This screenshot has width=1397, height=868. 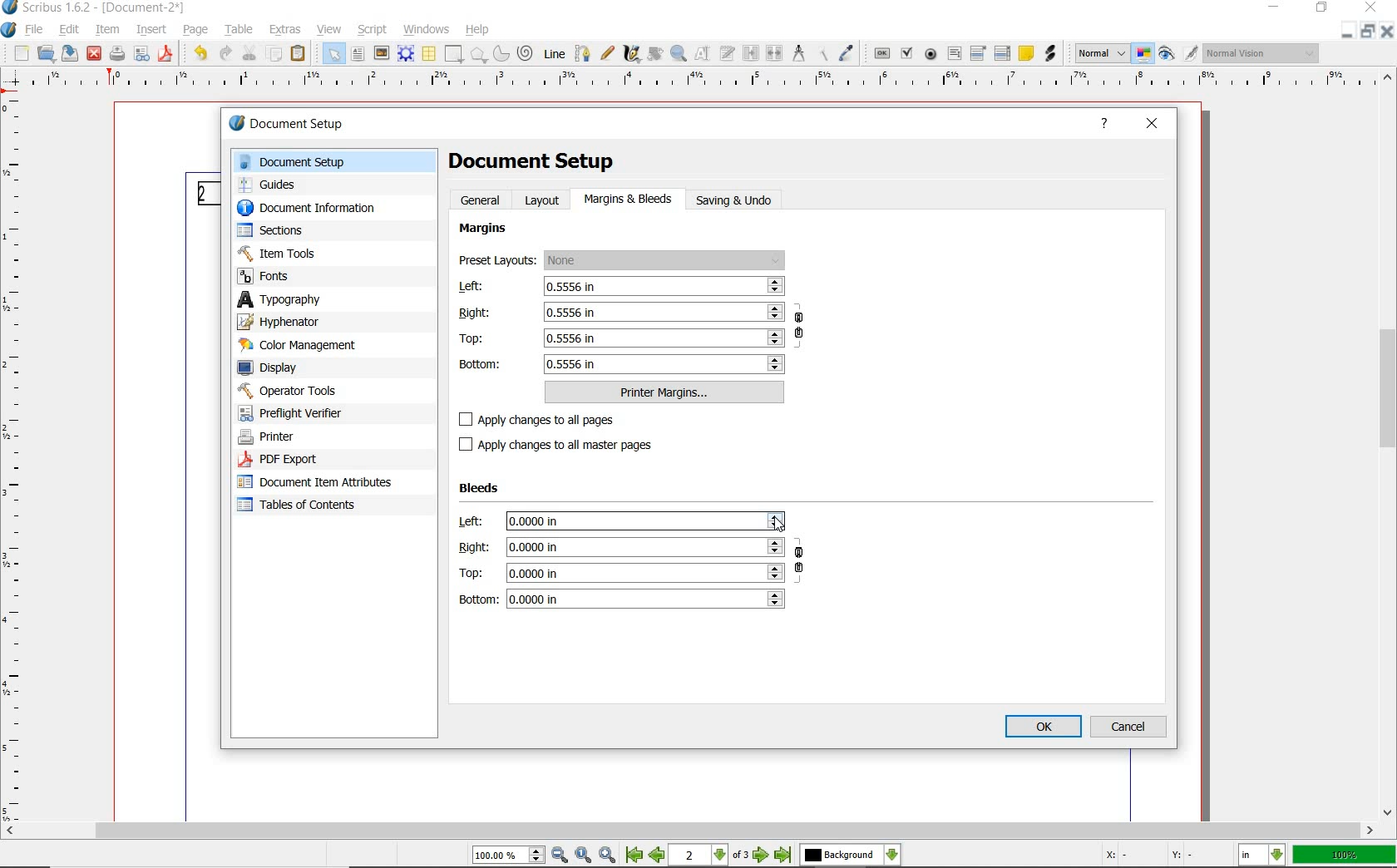 I want to click on select the current layer, so click(x=850, y=856).